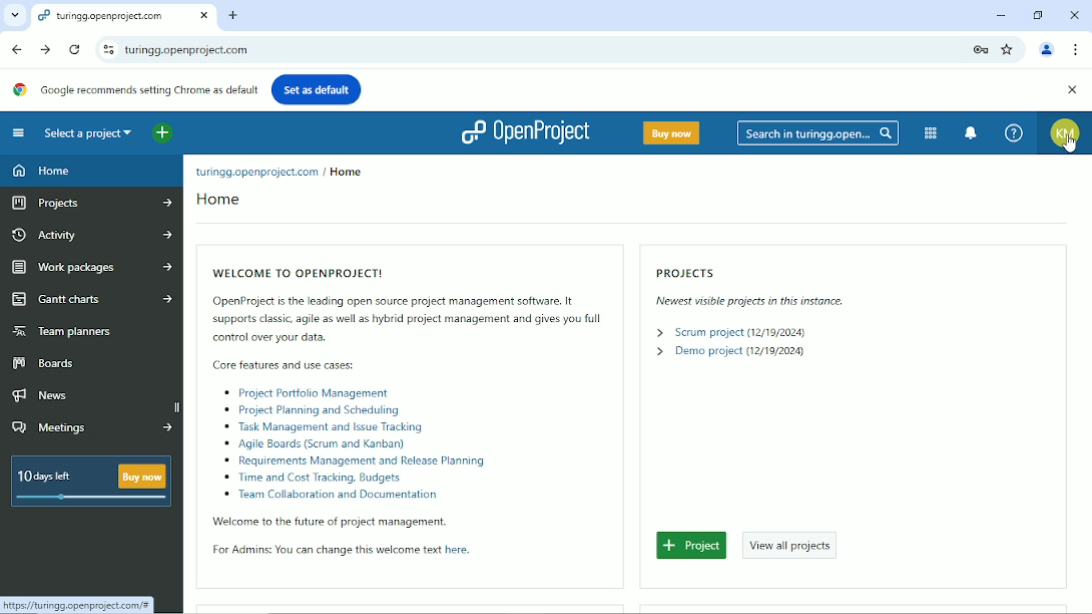 The height and width of the screenshot is (614, 1092). Describe the element at coordinates (329, 522) in the screenshot. I see `‘Welcome to the future of project management.` at that location.